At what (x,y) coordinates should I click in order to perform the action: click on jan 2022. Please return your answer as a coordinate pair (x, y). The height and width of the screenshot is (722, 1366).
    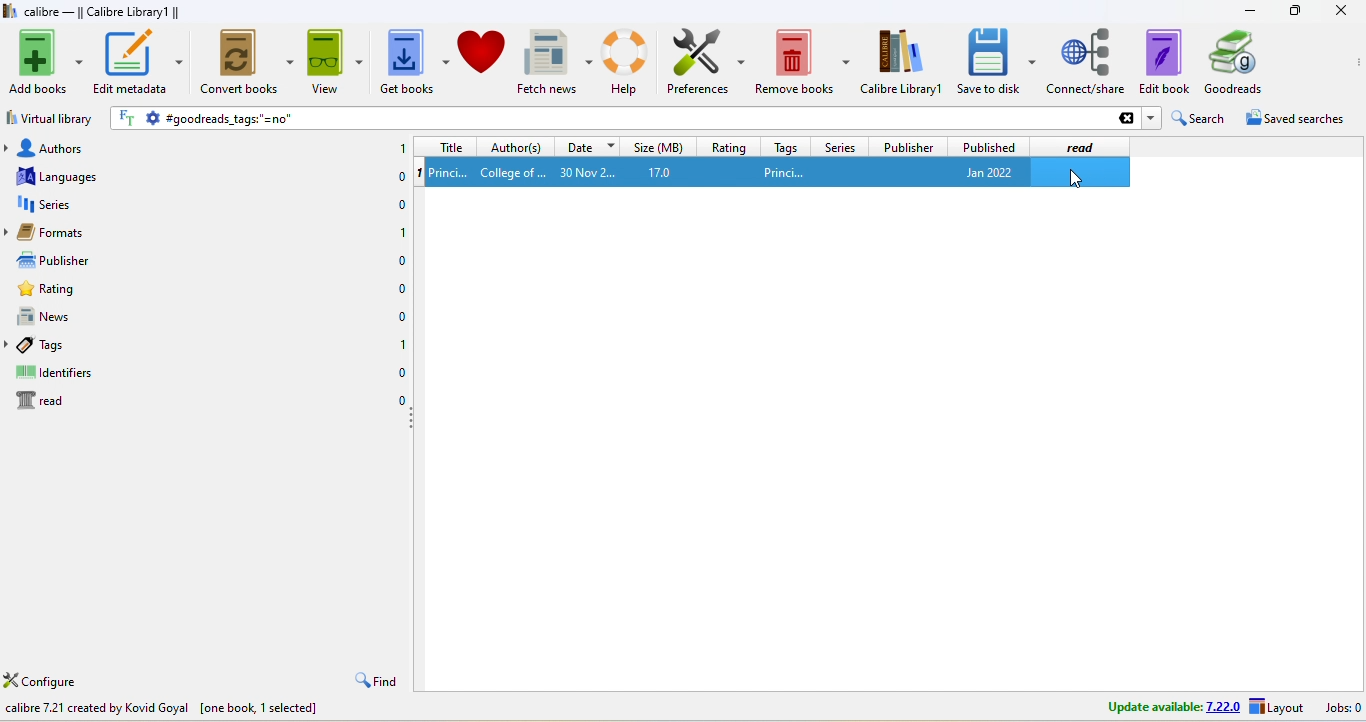
    Looking at the image, I should click on (990, 173).